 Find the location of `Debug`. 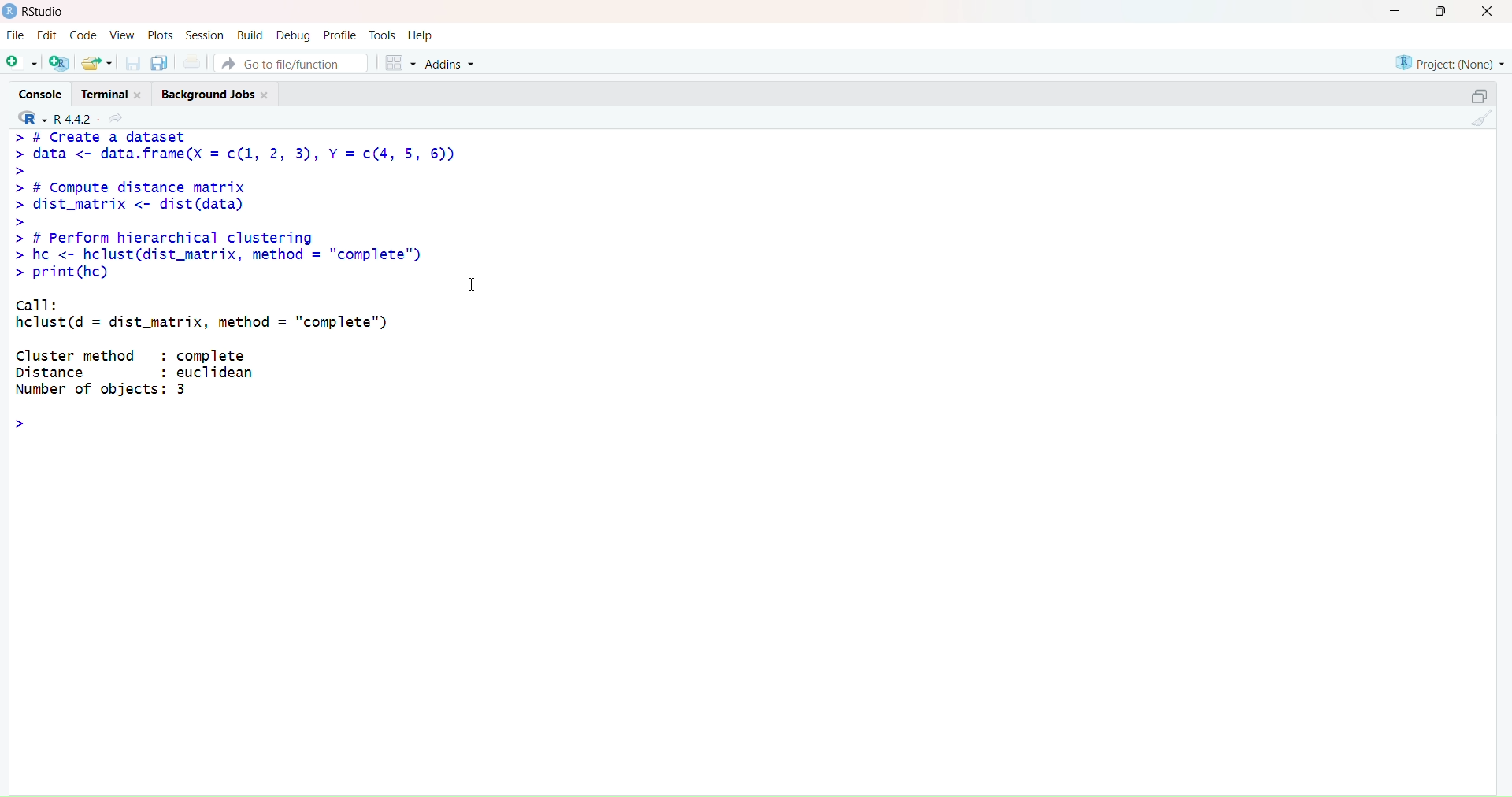

Debug is located at coordinates (292, 35).